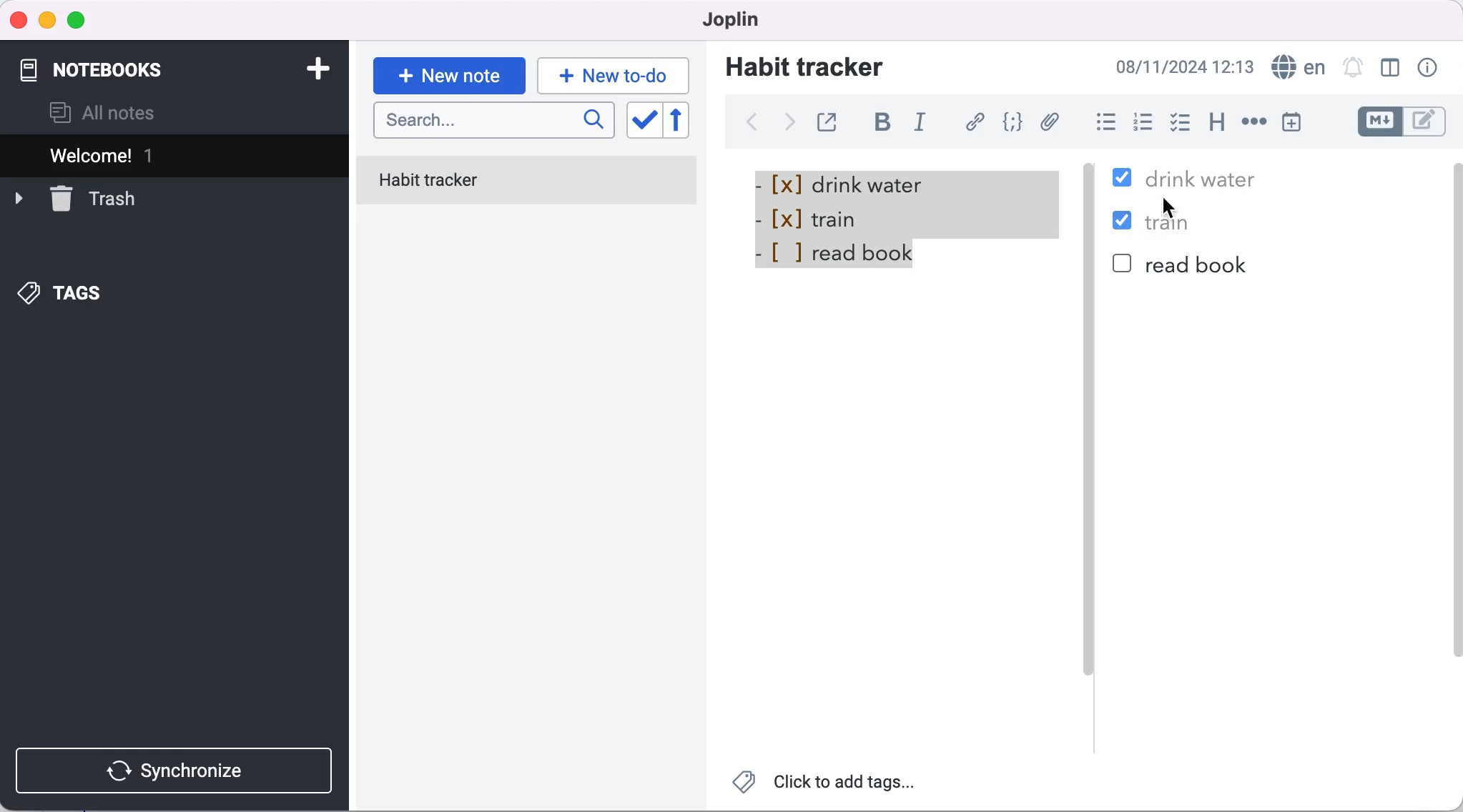 The width and height of the screenshot is (1463, 812). I want to click on search, so click(494, 122).